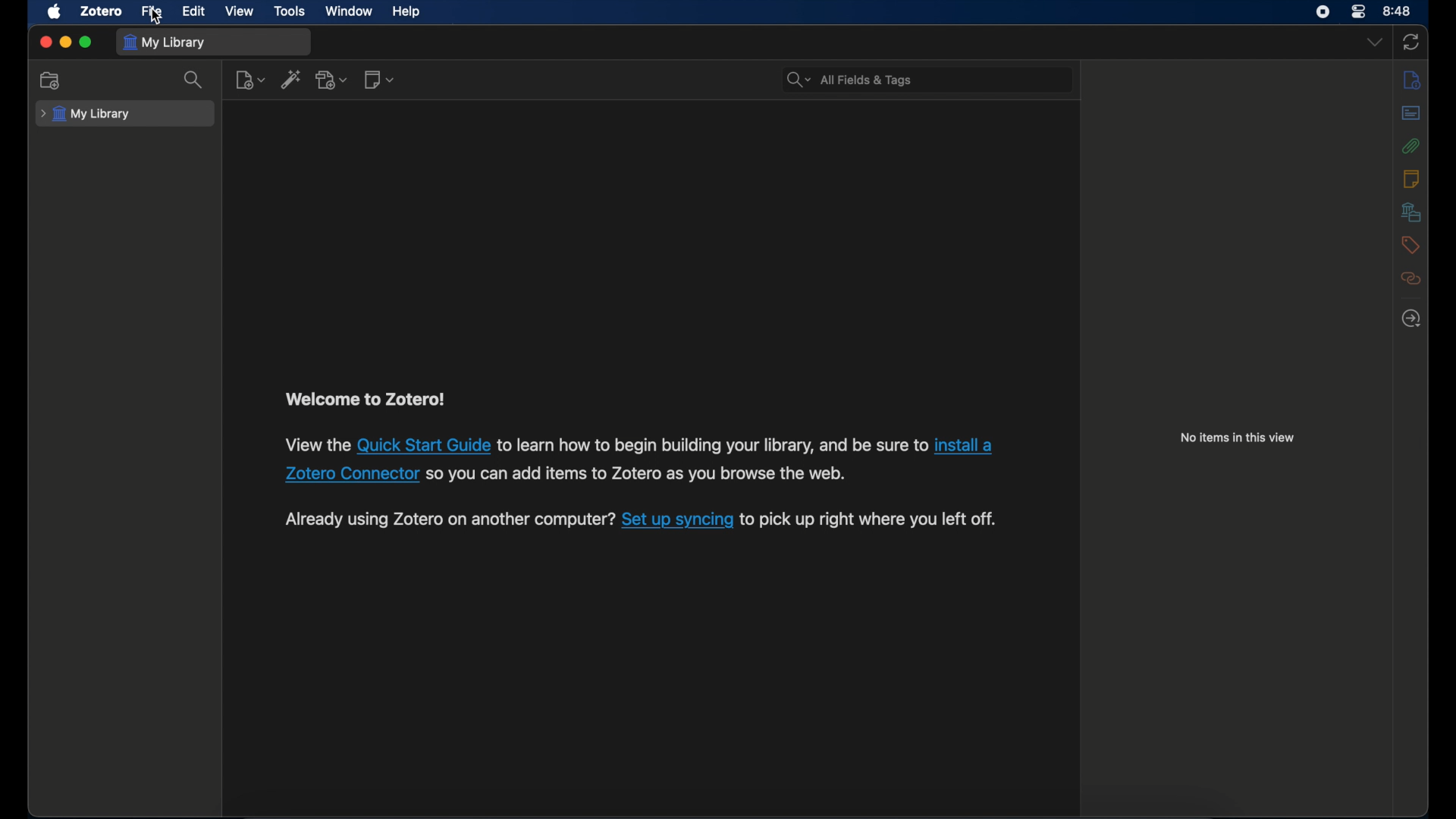 This screenshot has width=1456, height=819. What do you see at coordinates (193, 11) in the screenshot?
I see `edit` at bounding box center [193, 11].